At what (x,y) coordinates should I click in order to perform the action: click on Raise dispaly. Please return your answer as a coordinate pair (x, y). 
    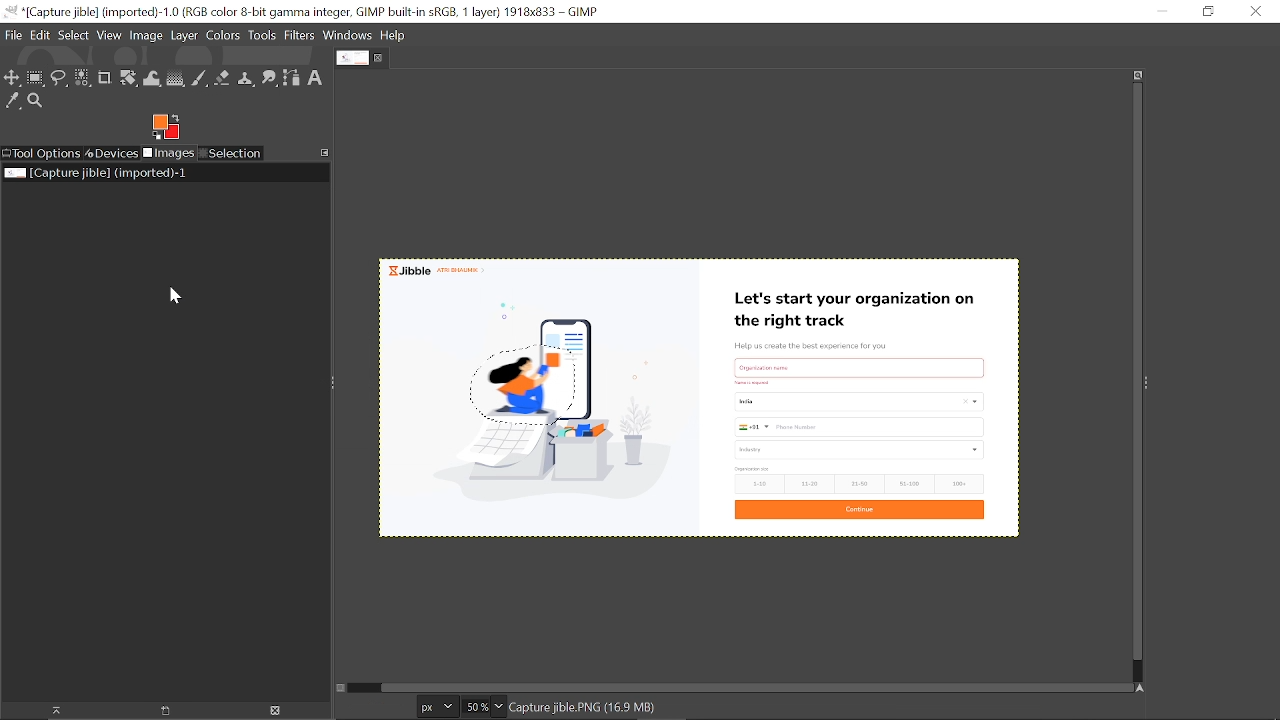
    Looking at the image, I should click on (50, 711).